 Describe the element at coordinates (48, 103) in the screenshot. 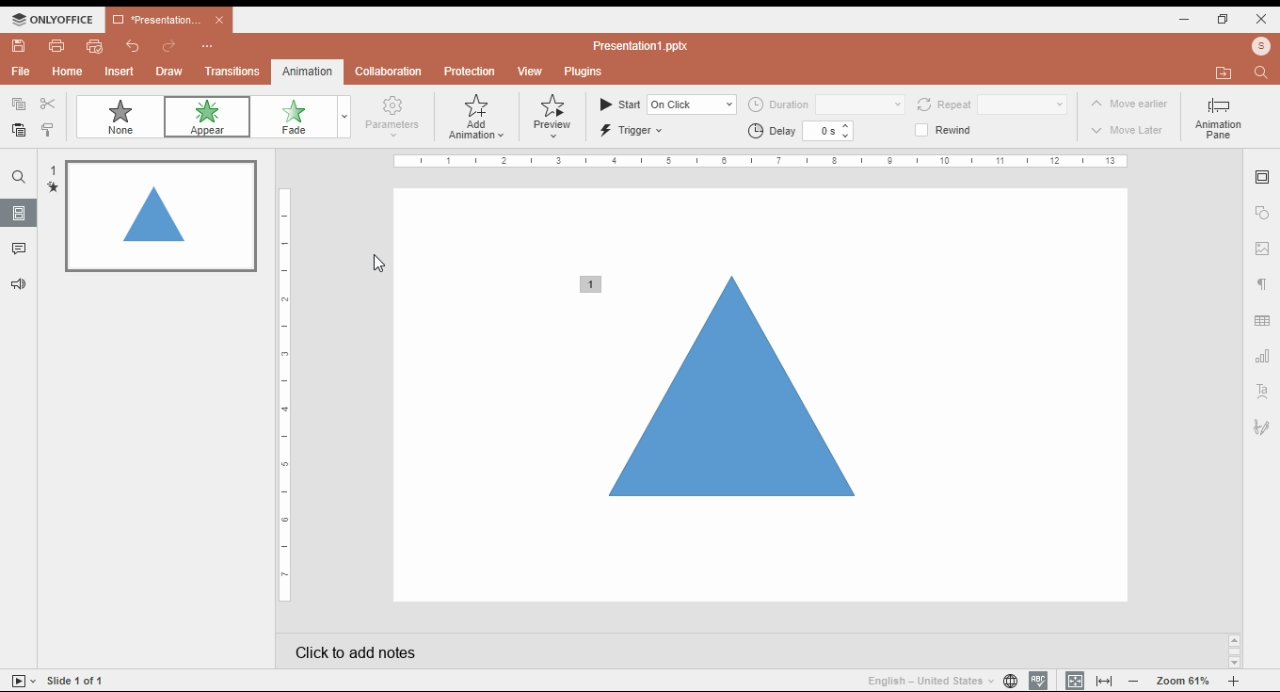

I see `cut` at that location.